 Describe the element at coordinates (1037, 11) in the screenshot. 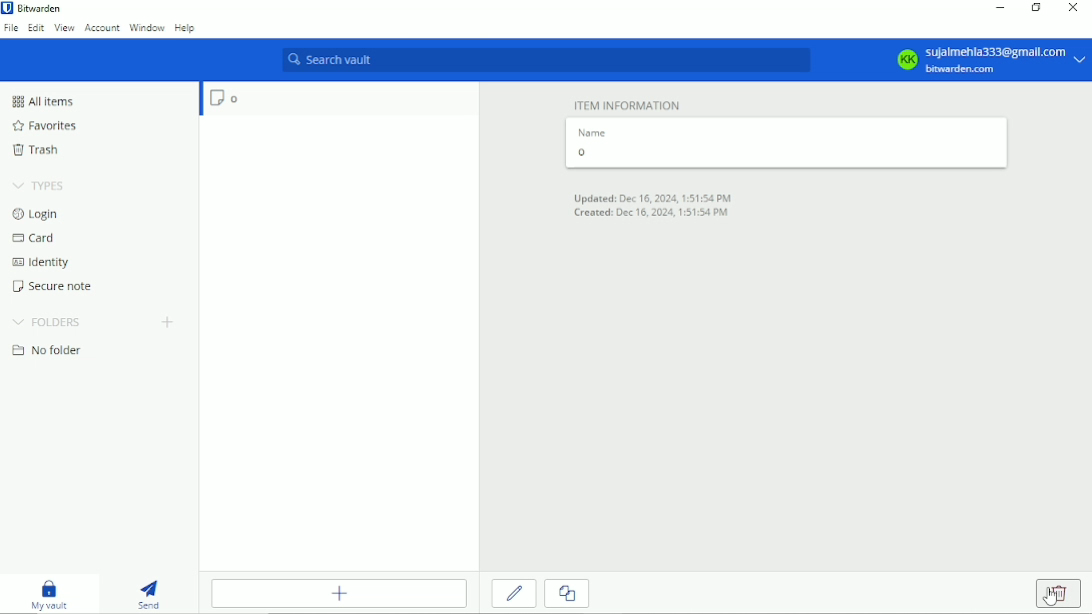

I see `Restore down` at that location.